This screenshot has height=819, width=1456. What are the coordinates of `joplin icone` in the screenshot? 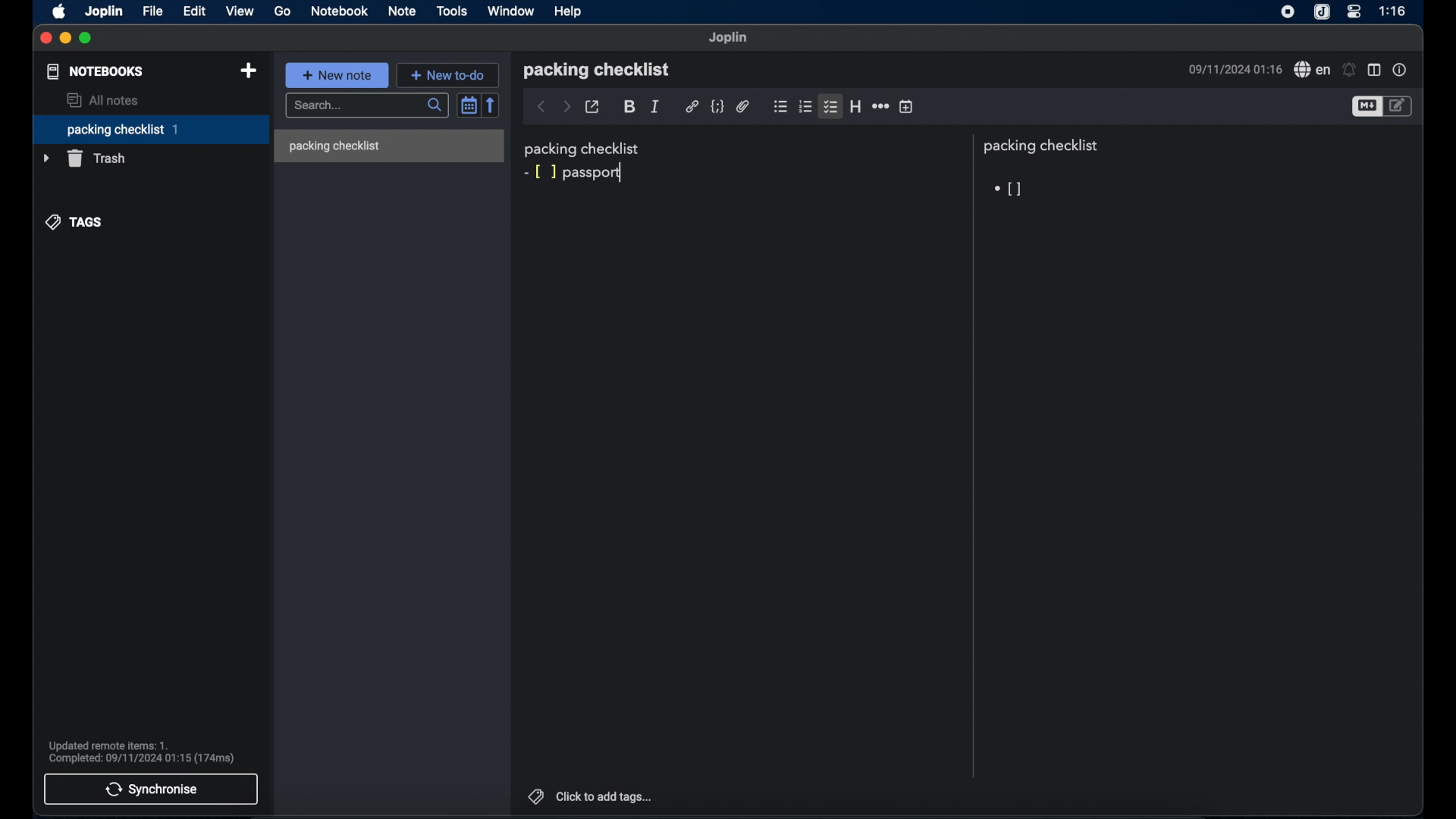 It's located at (1322, 12).